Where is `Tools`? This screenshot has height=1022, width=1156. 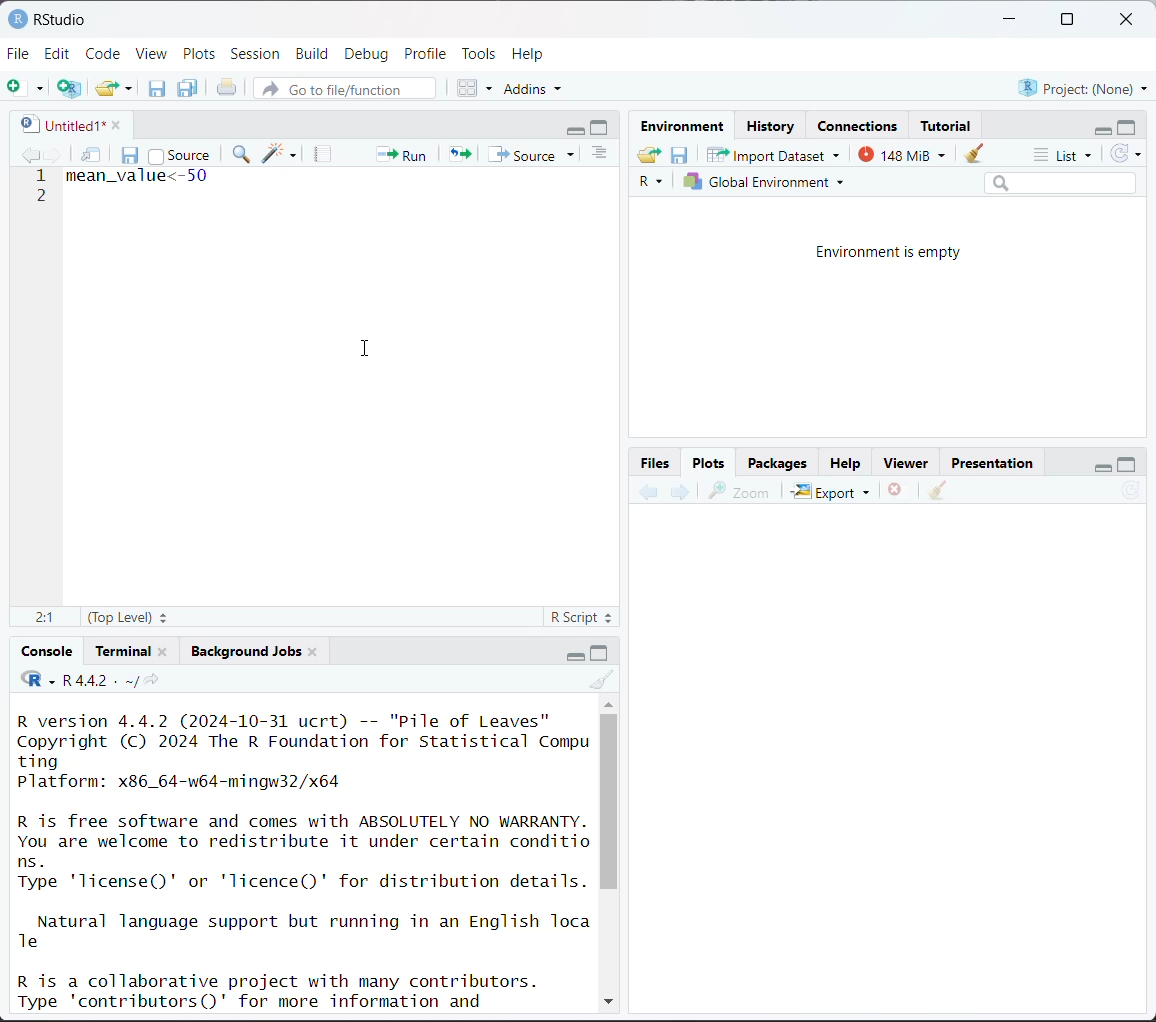 Tools is located at coordinates (479, 52).